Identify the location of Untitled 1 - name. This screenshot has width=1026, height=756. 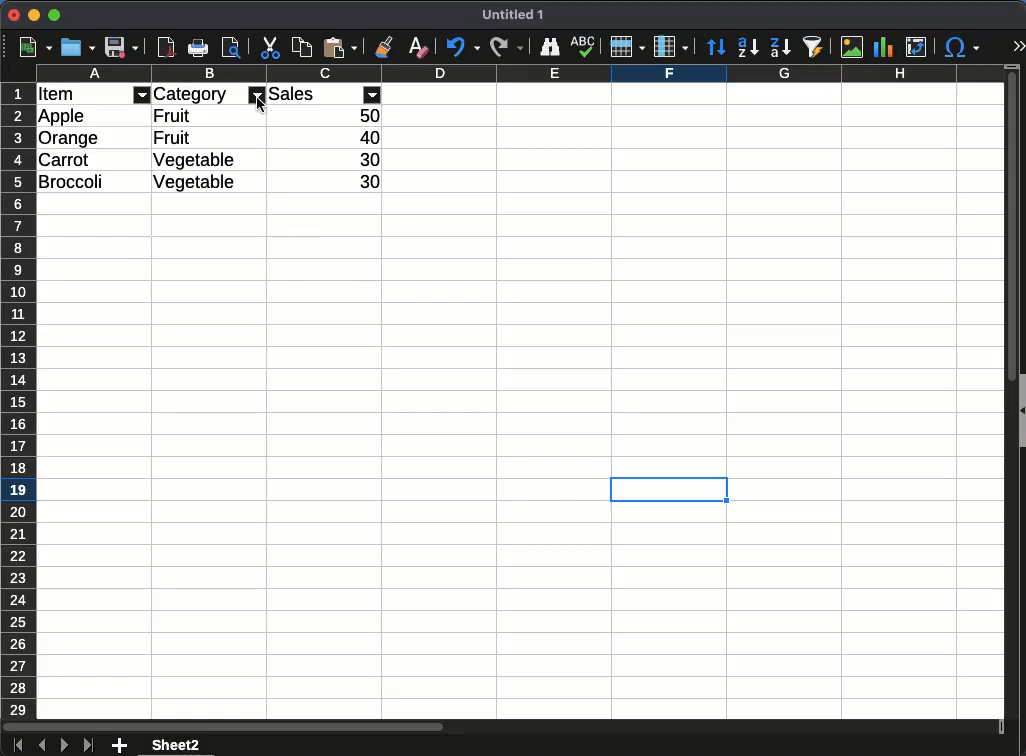
(513, 15).